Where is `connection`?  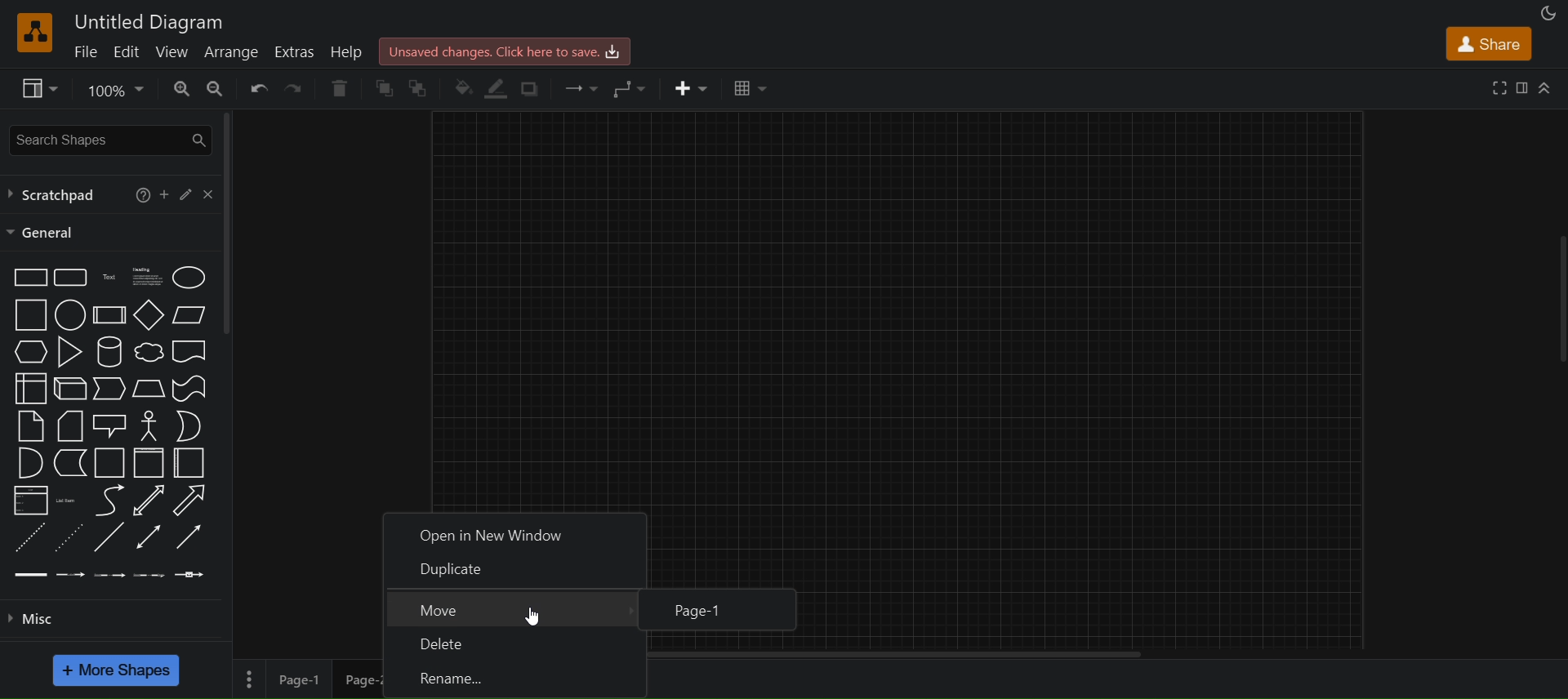 connection is located at coordinates (581, 87).